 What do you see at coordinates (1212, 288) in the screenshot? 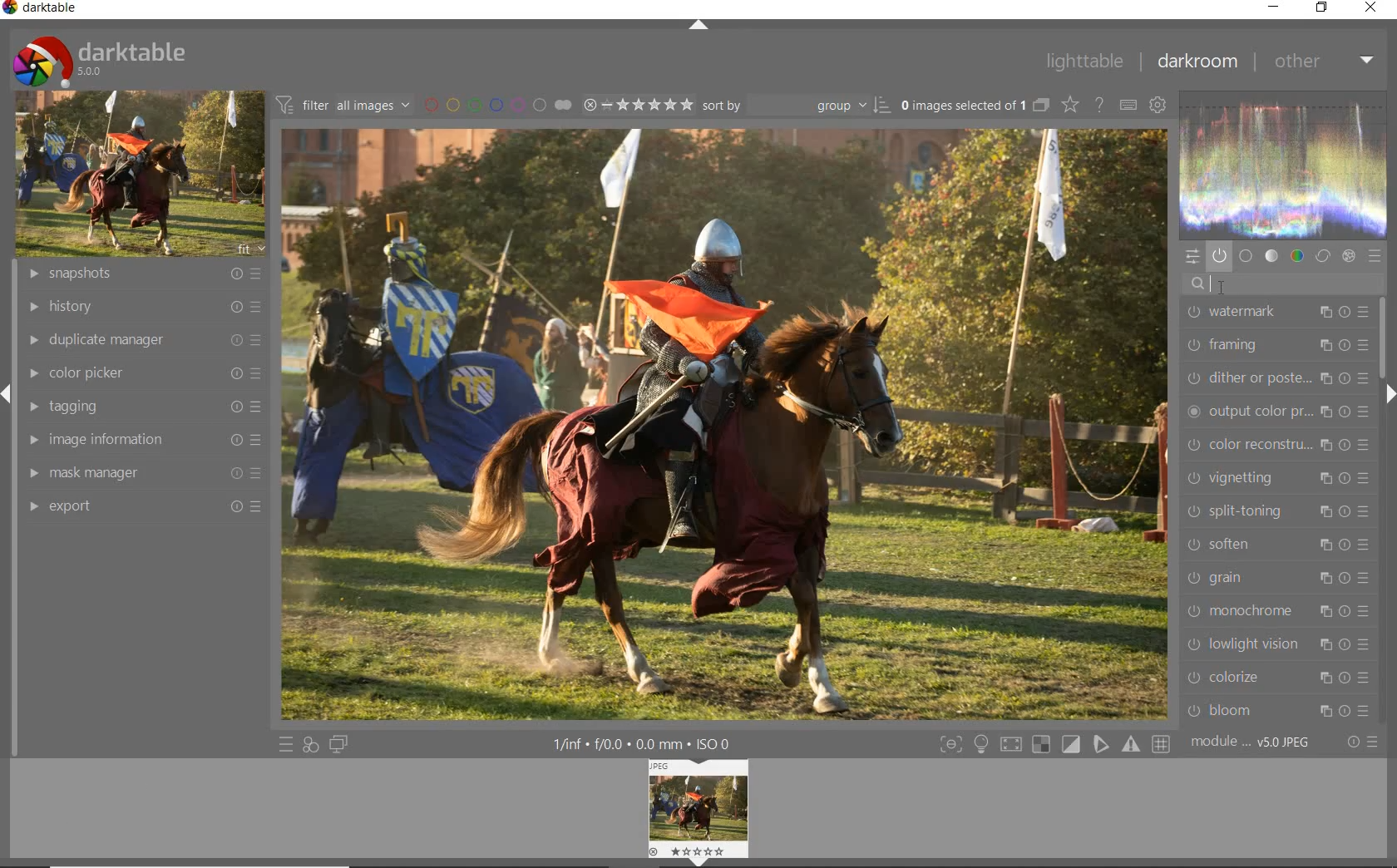
I see `cursor` at bounding box center [1212, 288].